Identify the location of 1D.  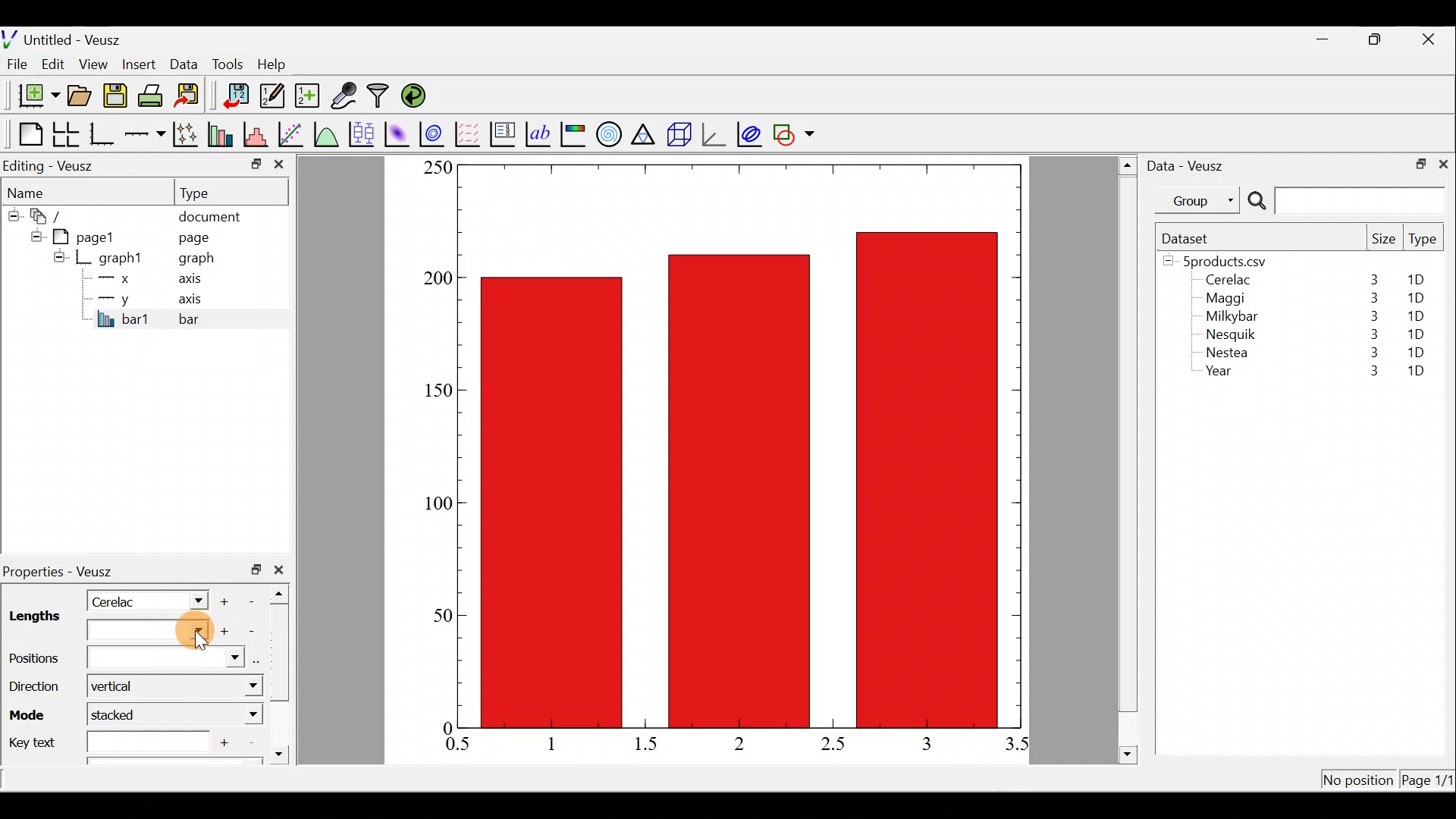
(1415, 298).